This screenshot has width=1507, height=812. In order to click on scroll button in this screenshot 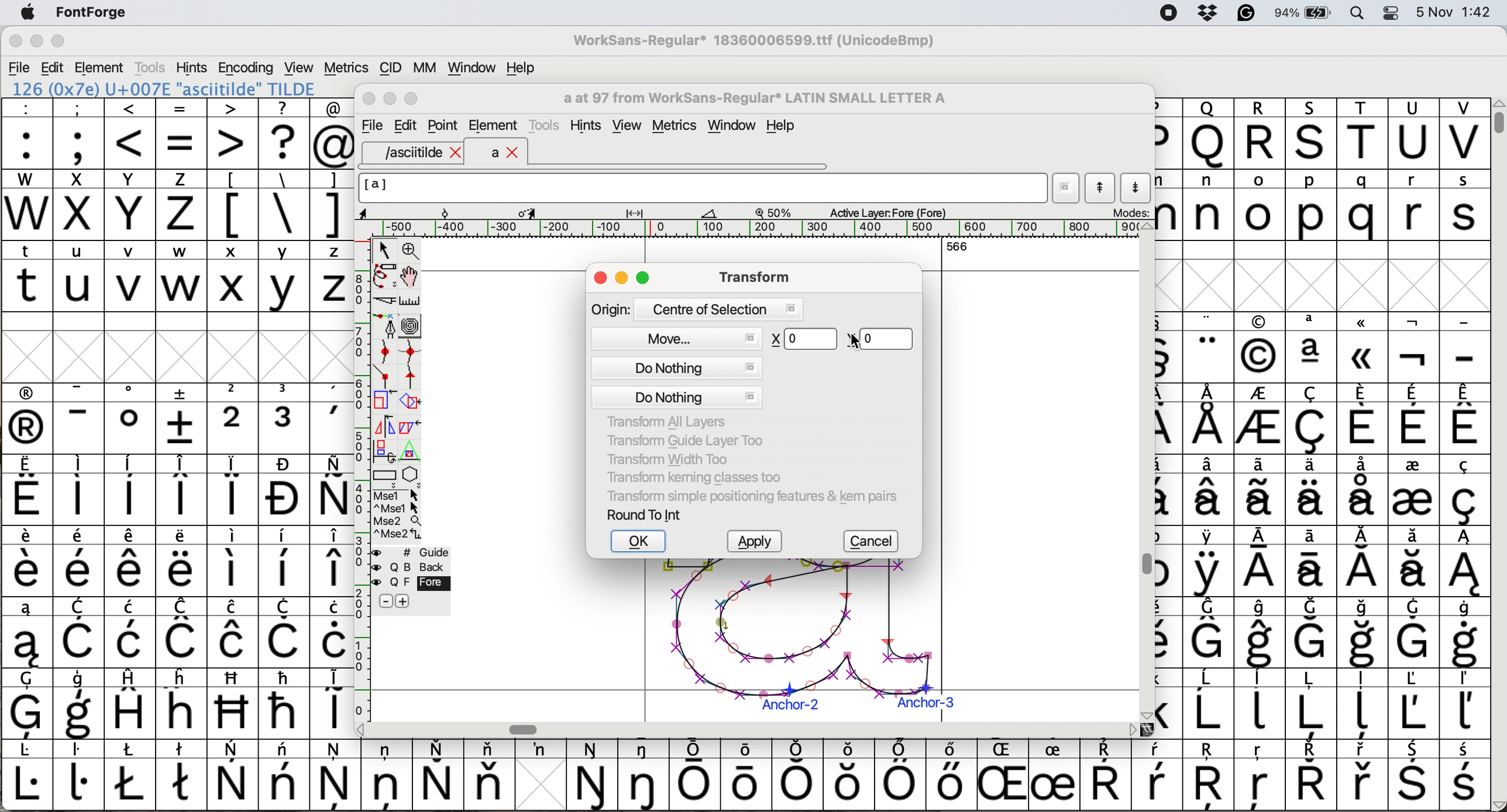, I will do `click(362, 728)`.